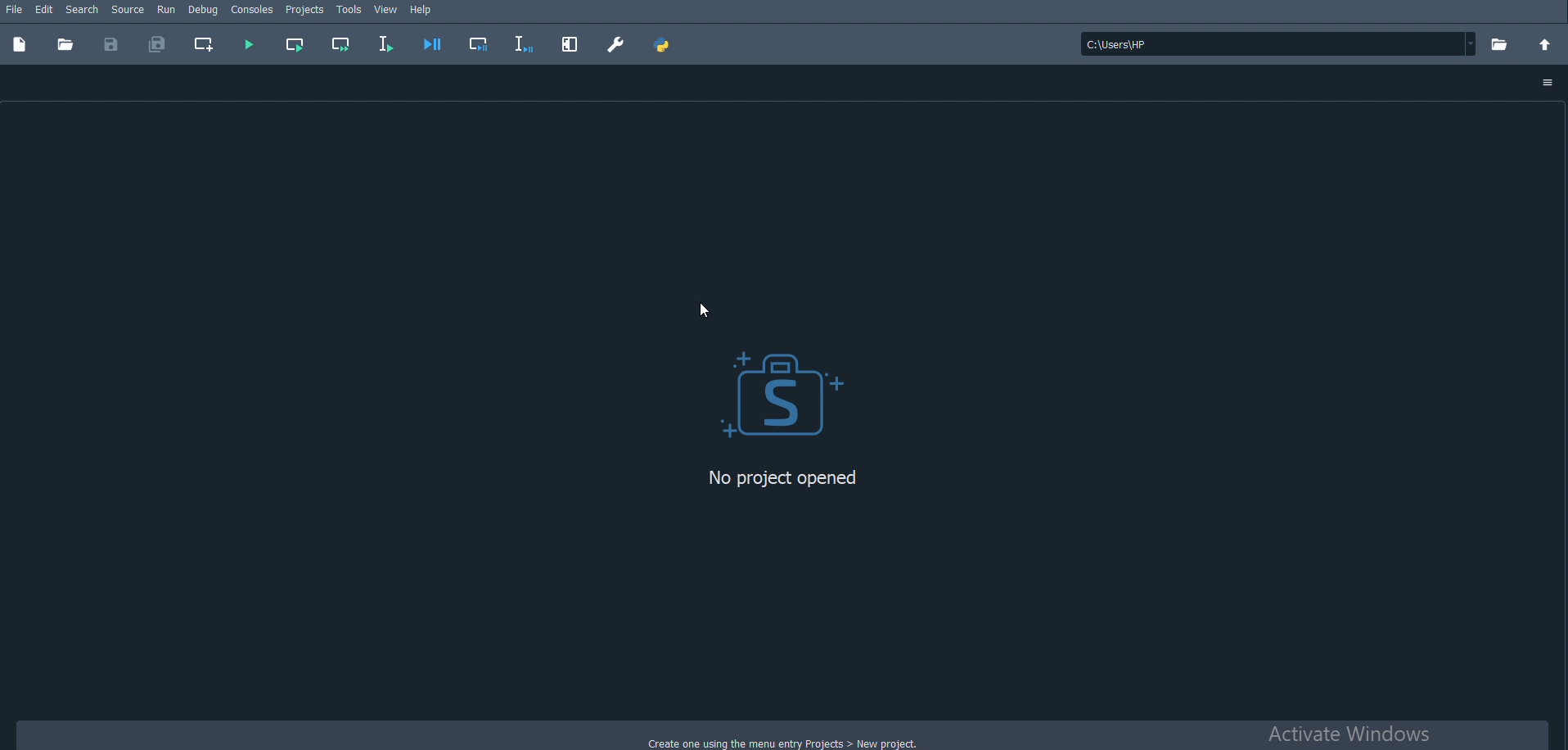  I want to click on options, so click(1549, 81).